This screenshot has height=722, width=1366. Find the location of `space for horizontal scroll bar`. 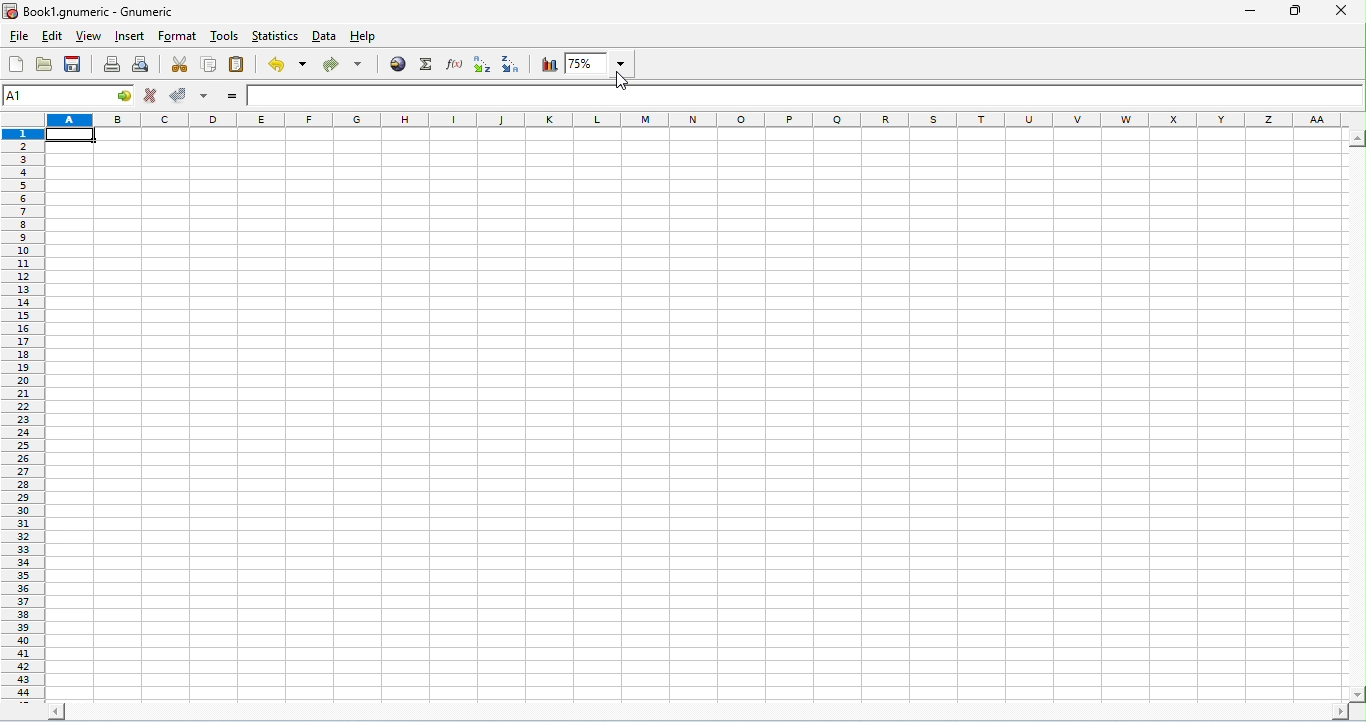

space for horizontal scroll bar is located at coordinates (695, 713).